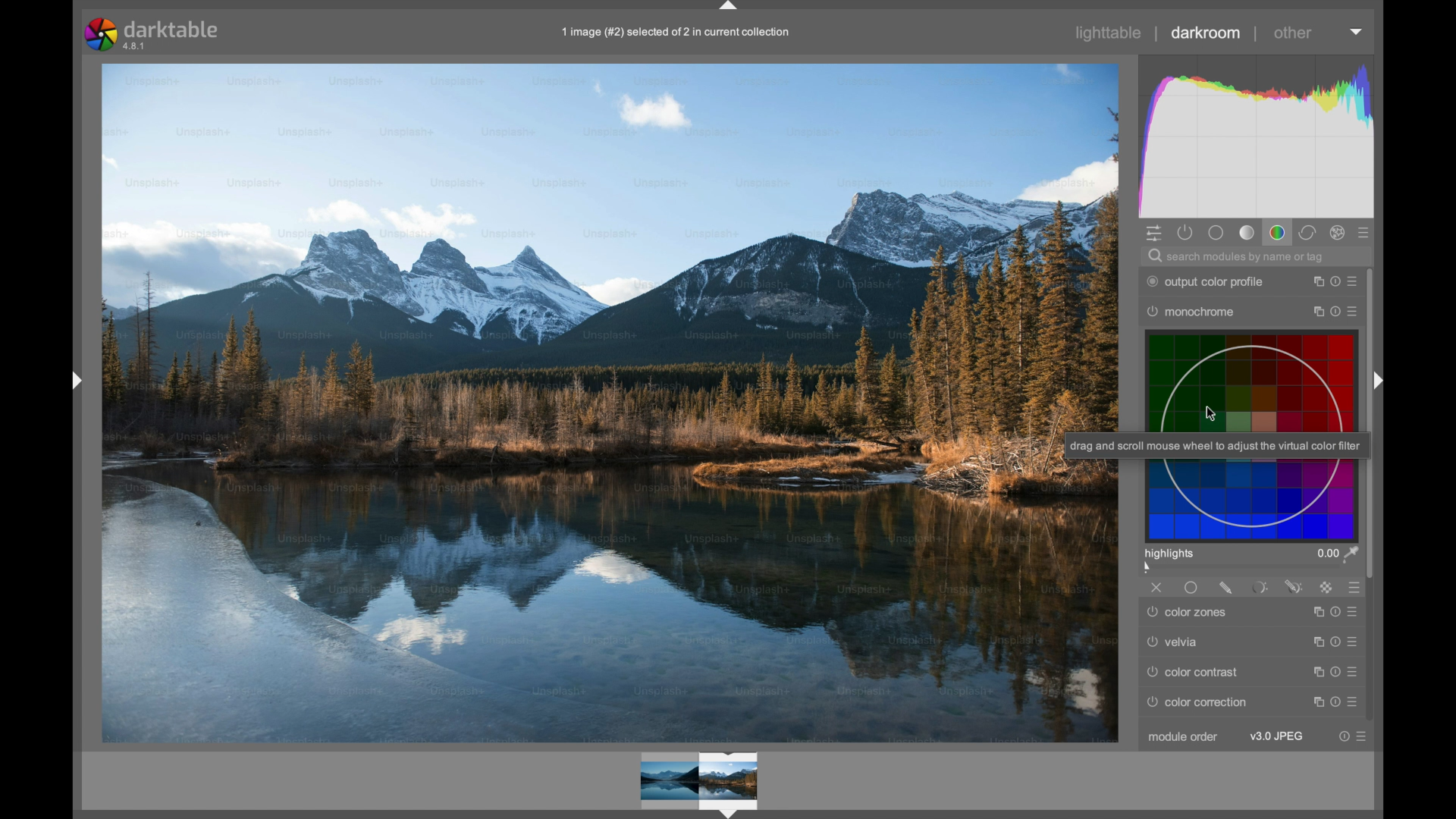  Describe the element at coordinates (1276, 736) in the screenshot. I see `v3.0 jpeg` at that location.